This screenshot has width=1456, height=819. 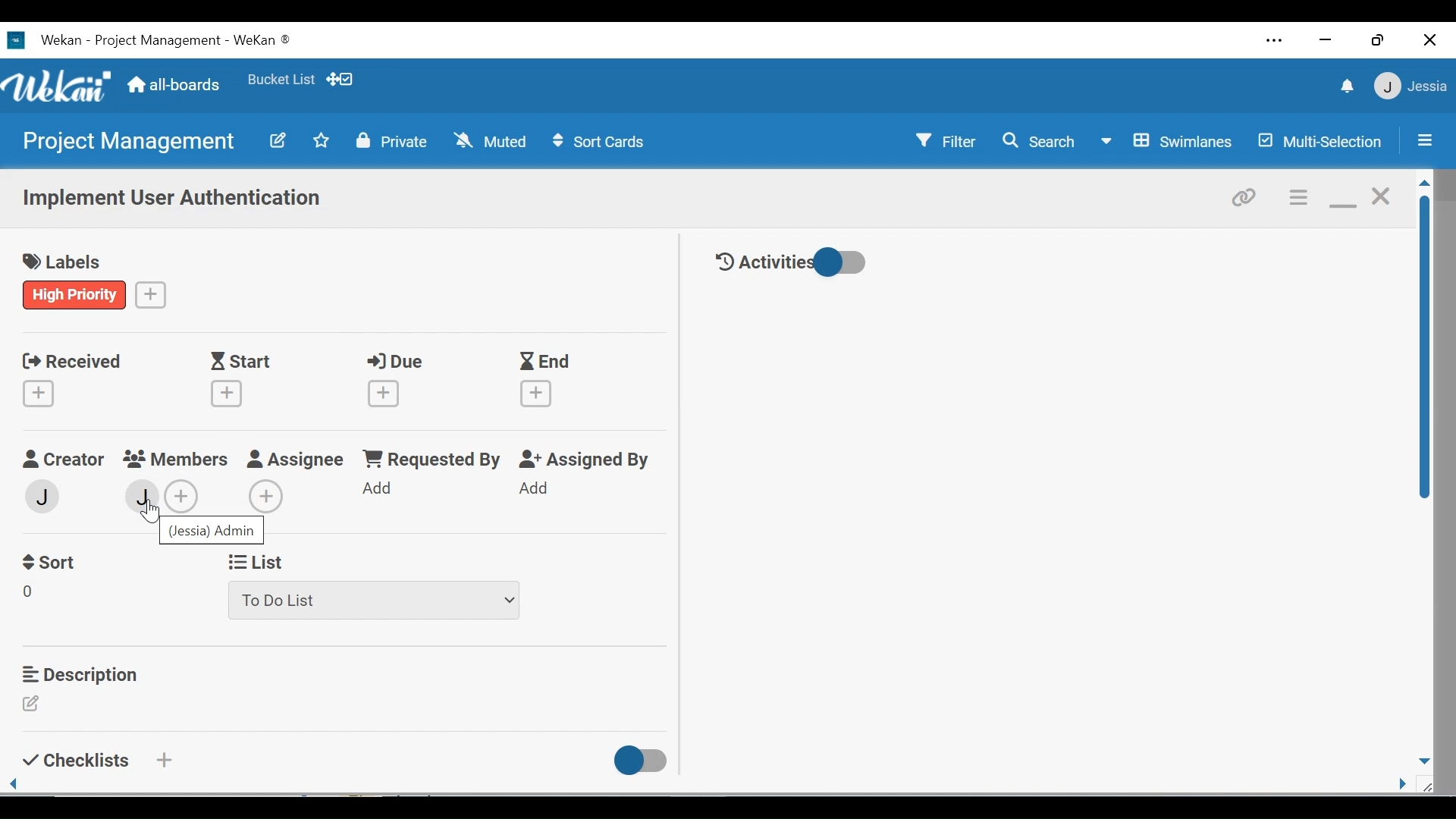 I want to click on Received, so click(x=67, y=381).